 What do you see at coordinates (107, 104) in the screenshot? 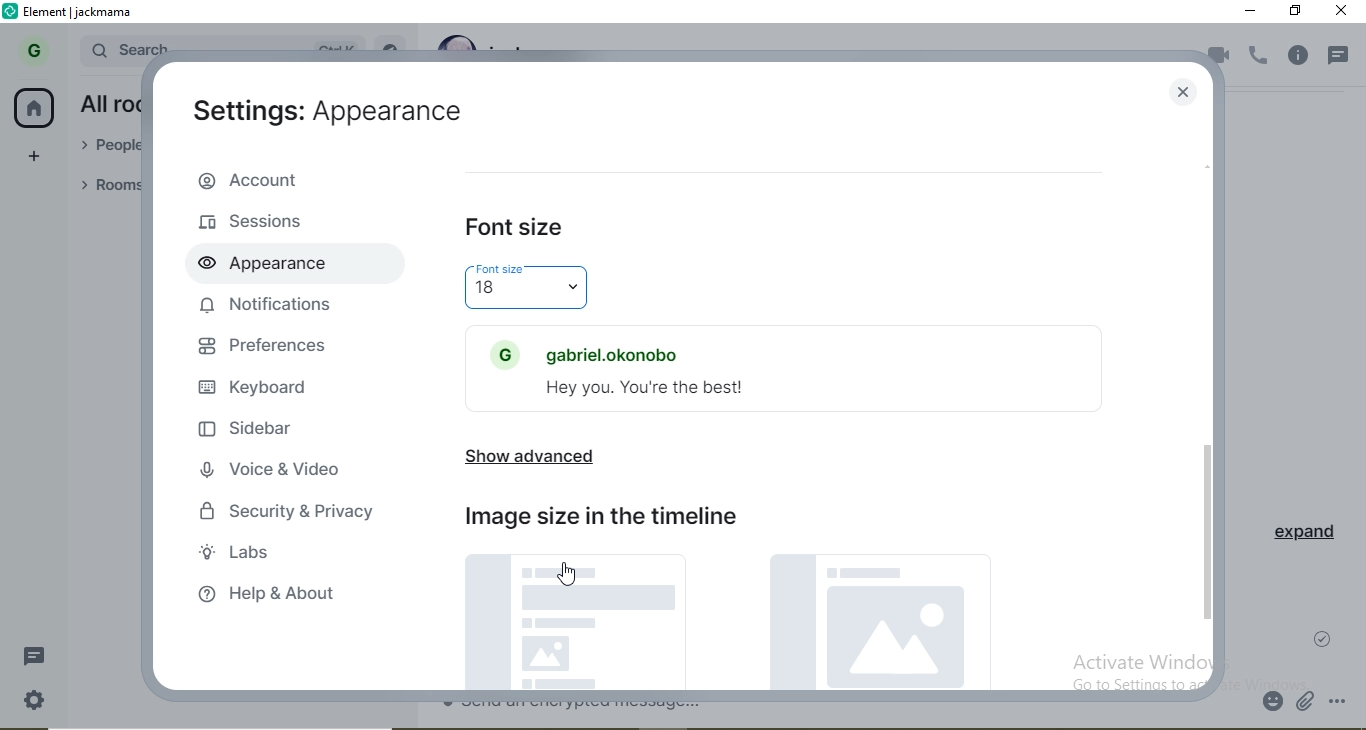
I see `all rooms` at bounding box center [107, 104].